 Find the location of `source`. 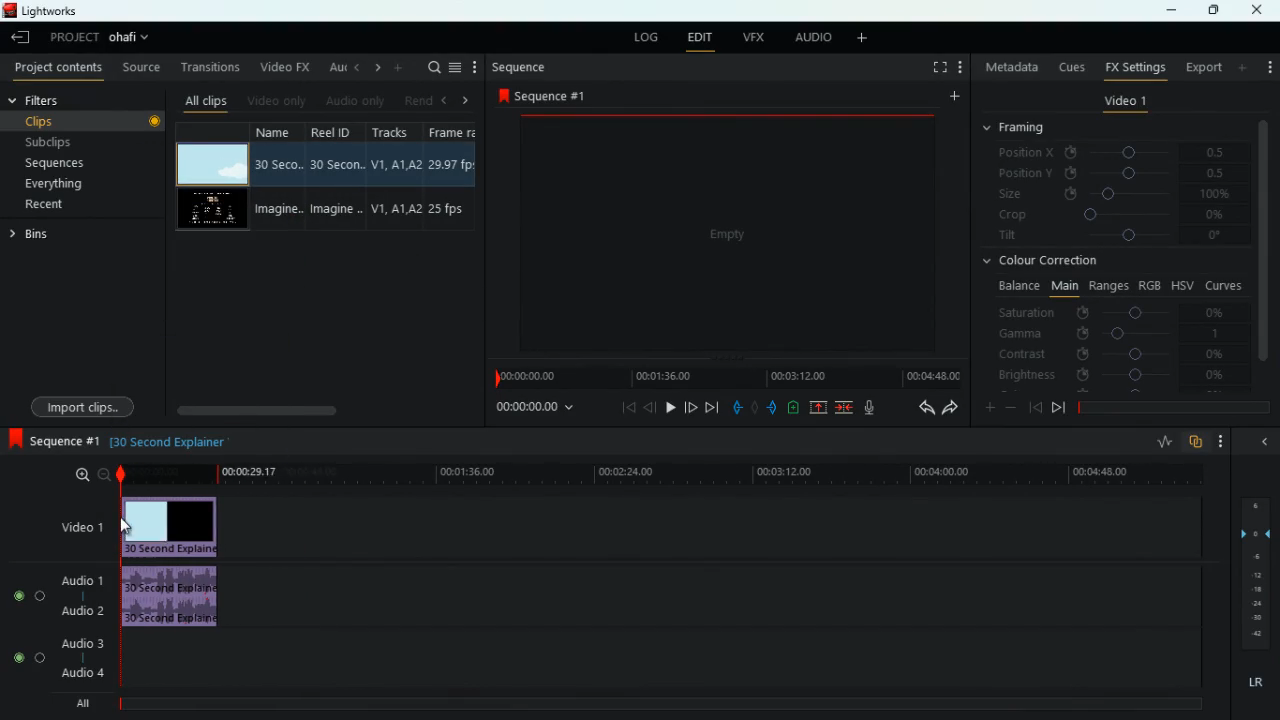

source is located at coordinates (138, 66).